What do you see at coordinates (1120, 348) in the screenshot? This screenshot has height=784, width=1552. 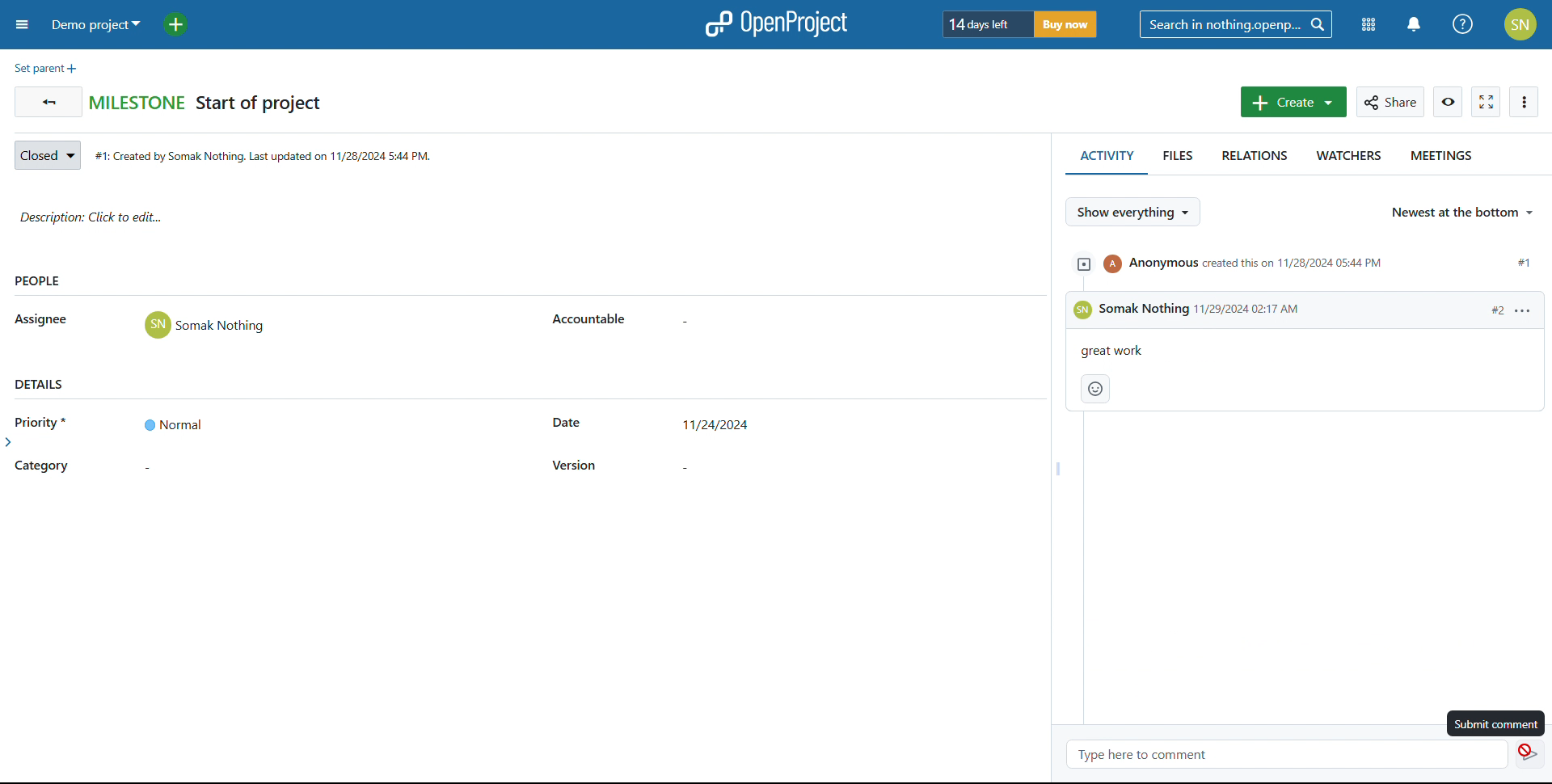 I see `great work` at bounding box center [1120, 348].